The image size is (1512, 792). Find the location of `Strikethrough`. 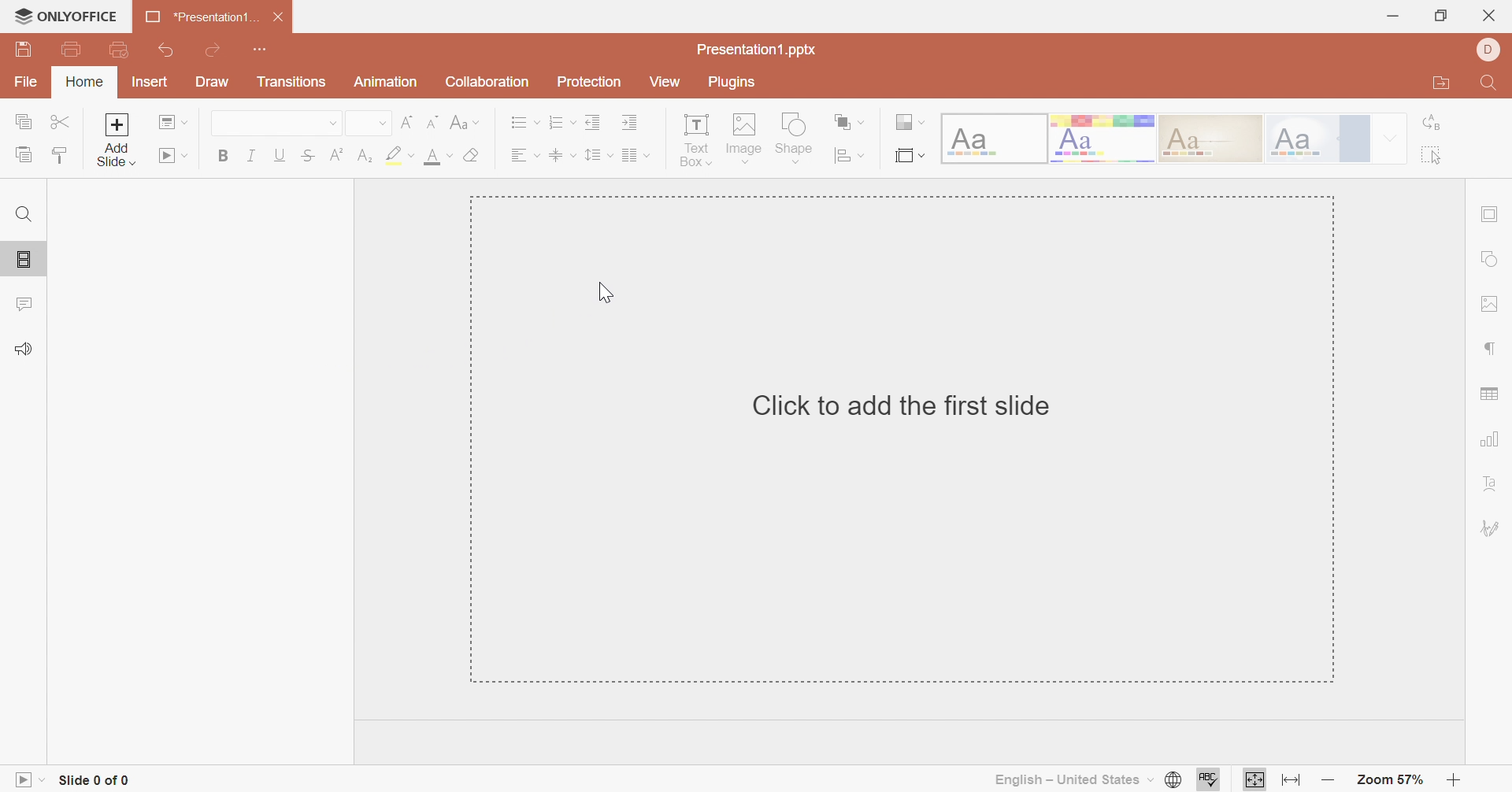

Strikethrough is located at coordinates (308, 154).